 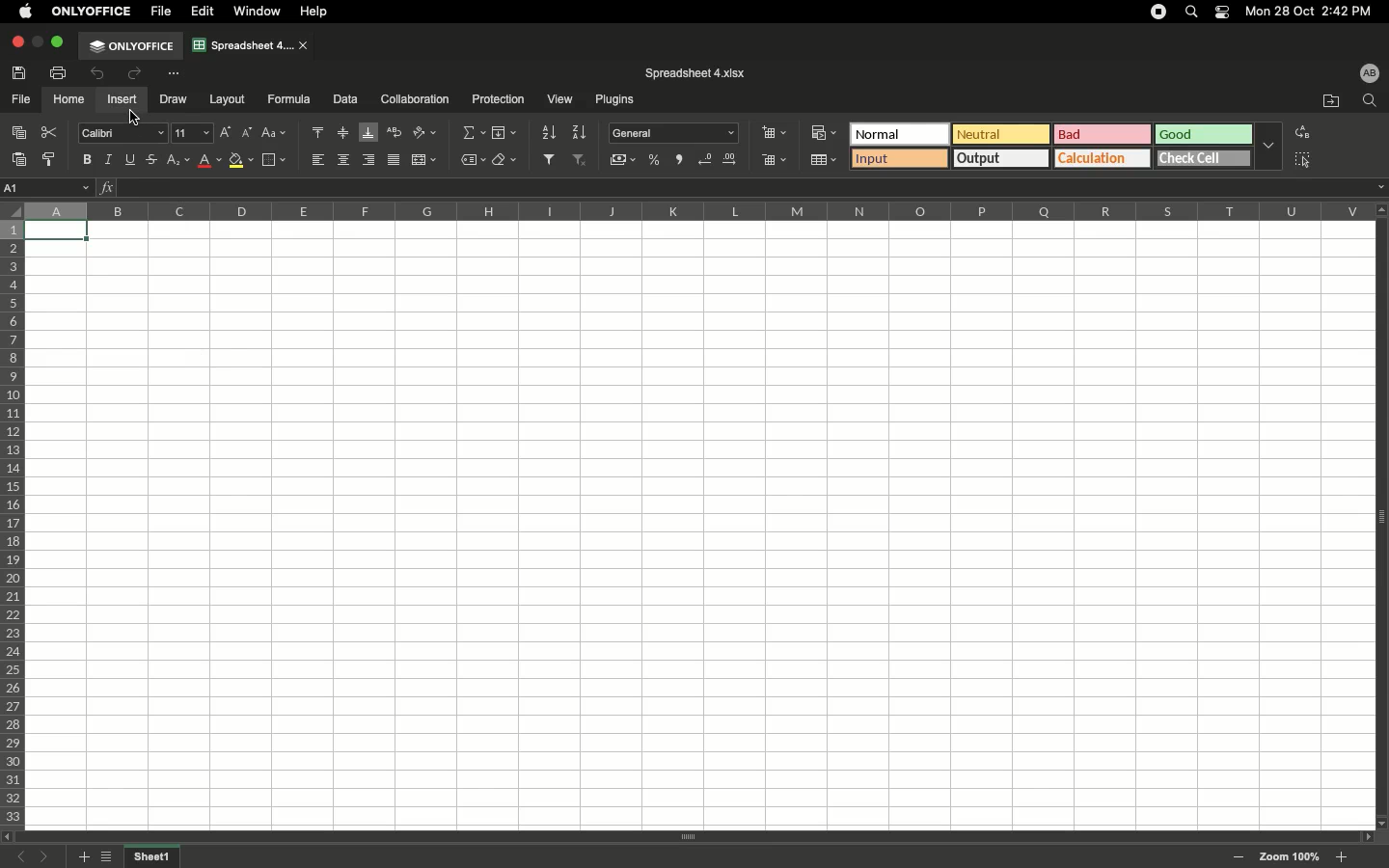 What do you see at coordinates (38, 41) in the screenshot?
I see `minimize` at bounding box center [38, 41].